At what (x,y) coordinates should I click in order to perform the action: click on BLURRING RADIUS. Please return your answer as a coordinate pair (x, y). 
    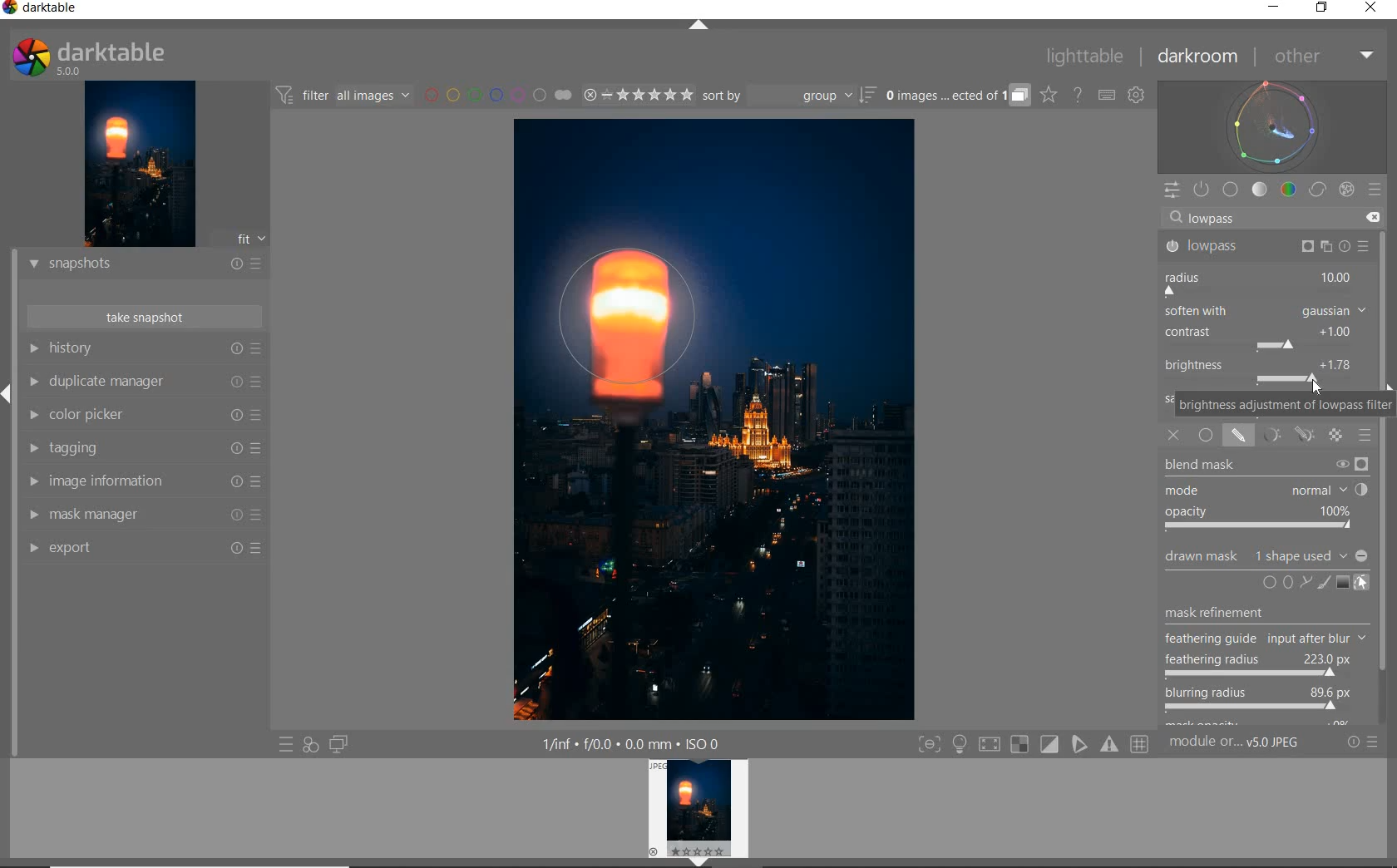
    Looking at the image, I should click on (1257, 700).